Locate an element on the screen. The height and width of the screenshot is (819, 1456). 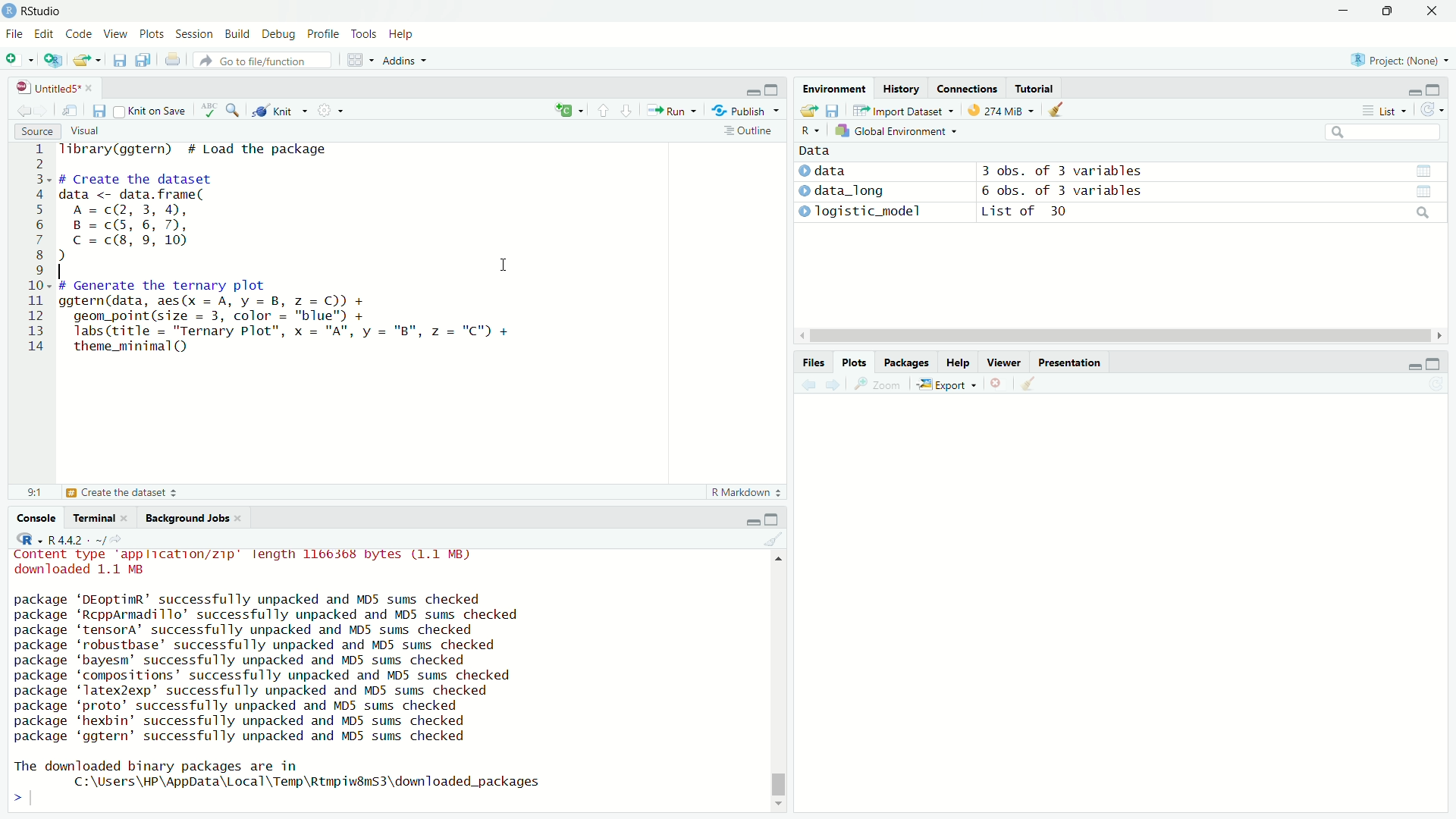
Profile is located at coordinates (321, 34).